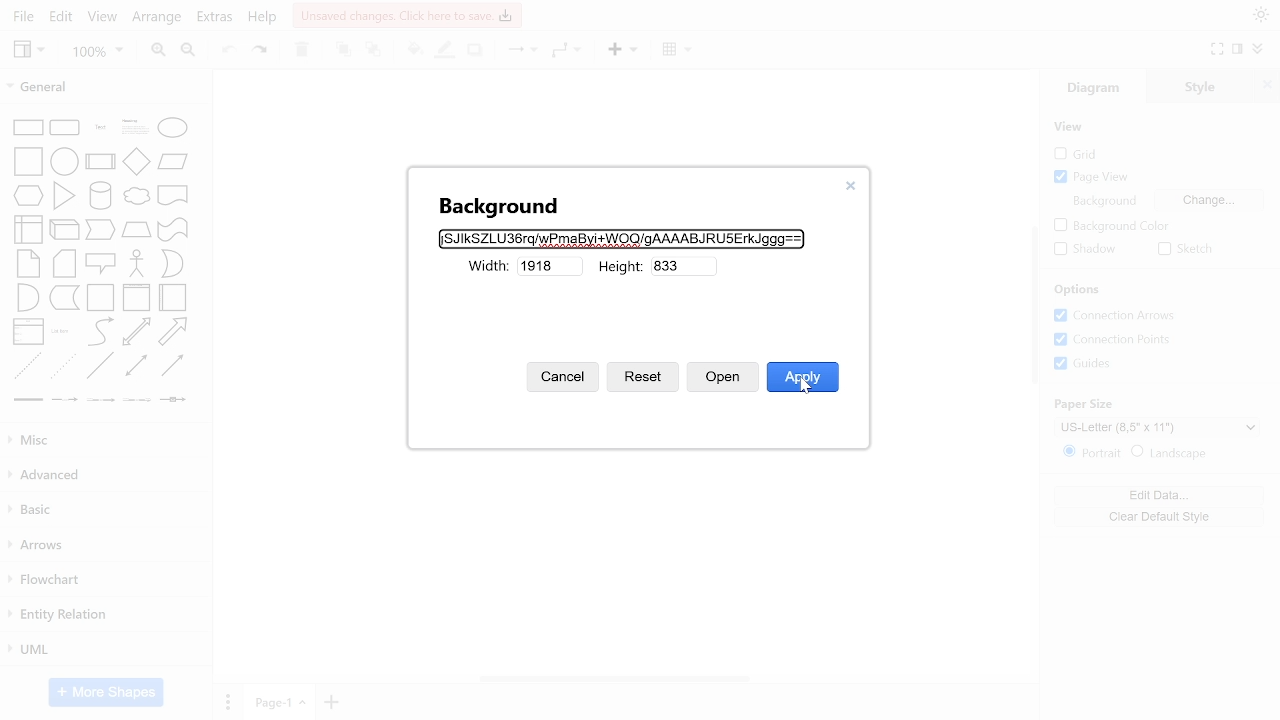 The width and height of the screenshot is (1280, 720). What do you see at coordinates (1162, 514) in the screenshot?
I see `clear default style` at bounding box center [1162, 514].